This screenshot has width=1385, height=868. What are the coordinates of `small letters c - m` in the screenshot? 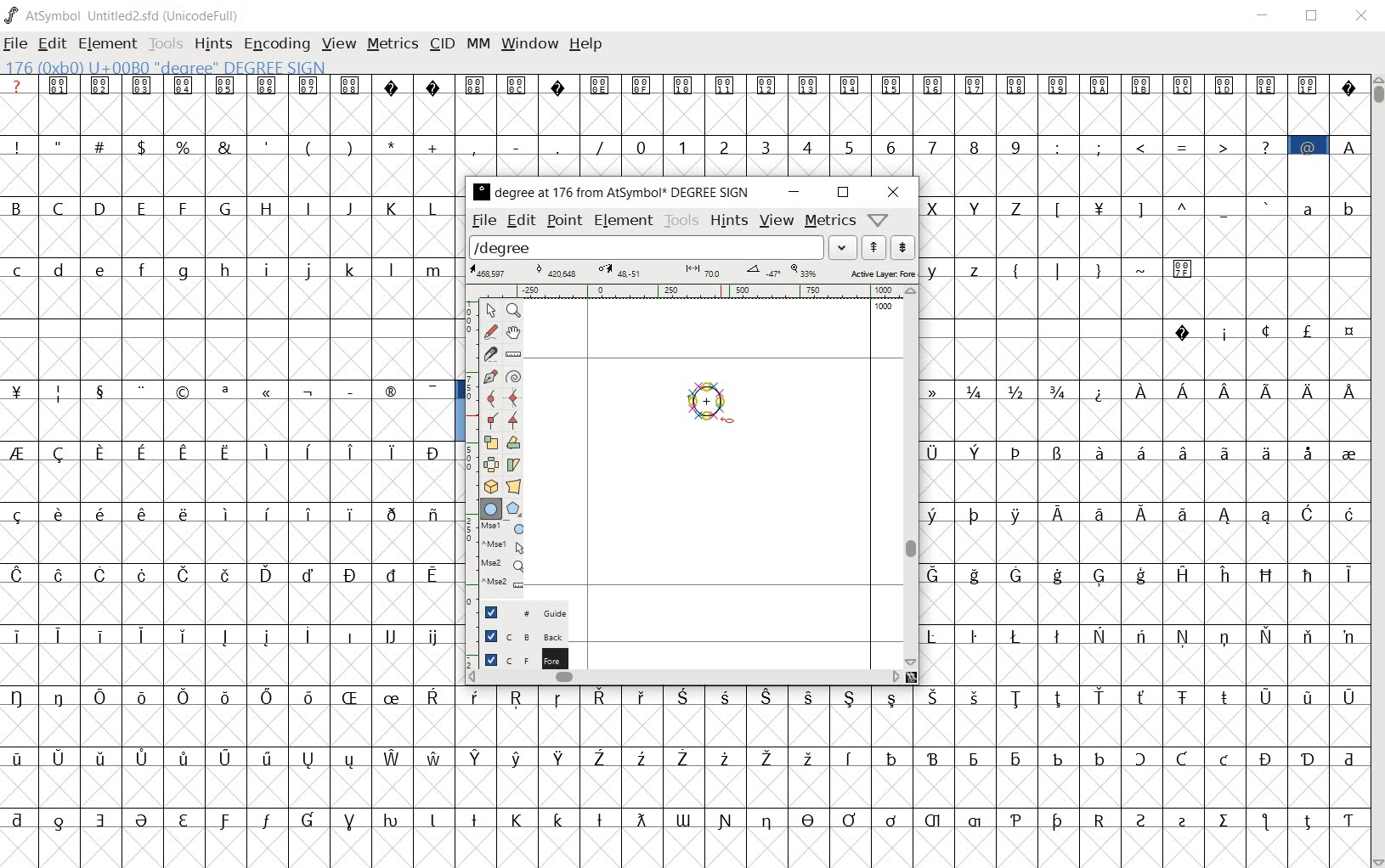 It's located at (221, 270).